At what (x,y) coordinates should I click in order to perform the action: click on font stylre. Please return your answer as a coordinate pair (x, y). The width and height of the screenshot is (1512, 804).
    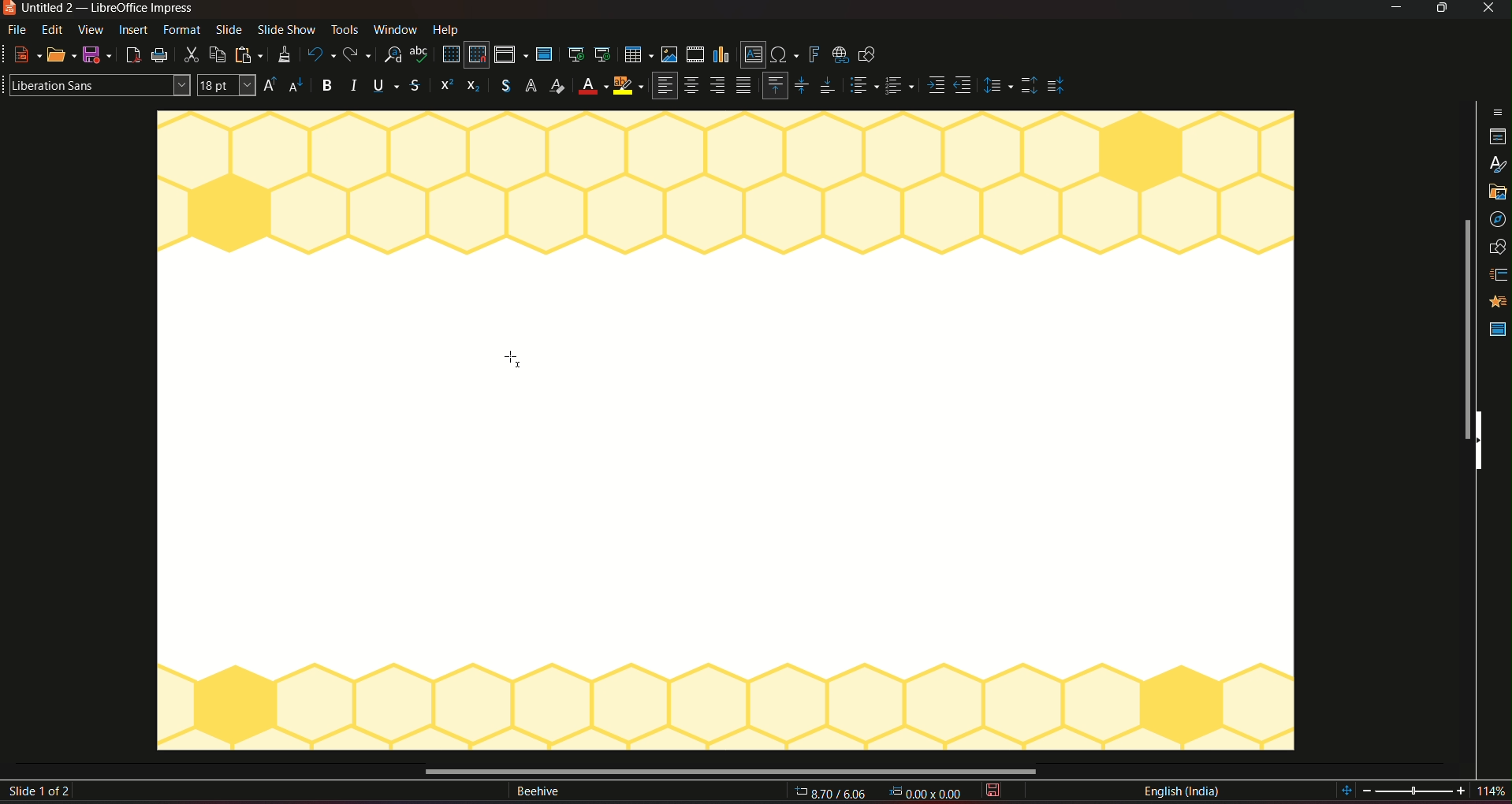
    Looking at the image, I should click on (96, 84).